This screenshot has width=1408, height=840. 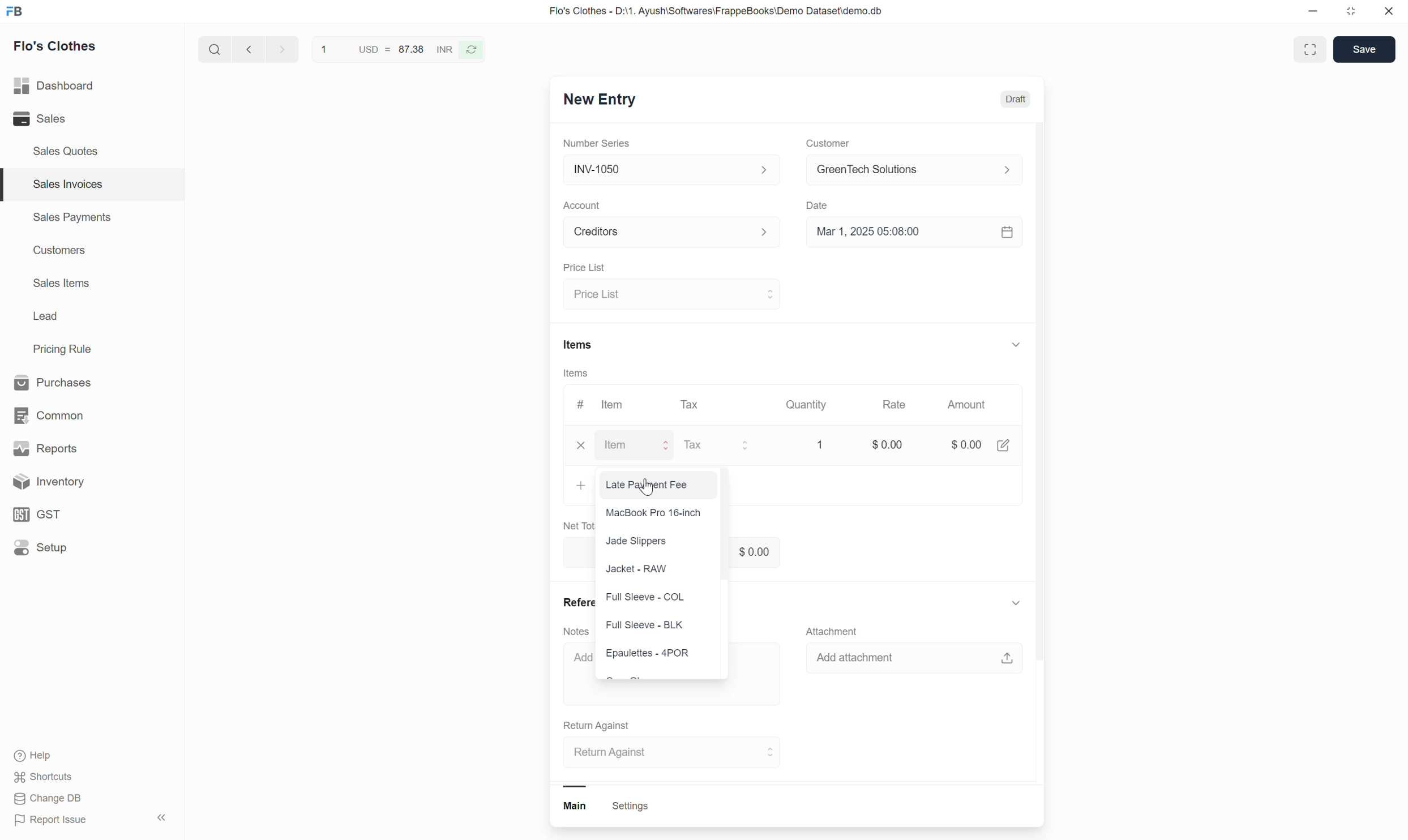 What do you see at coordinates (62, 284) in the screenshot?
I see `Sales Items` at bounding box center [62, 284].